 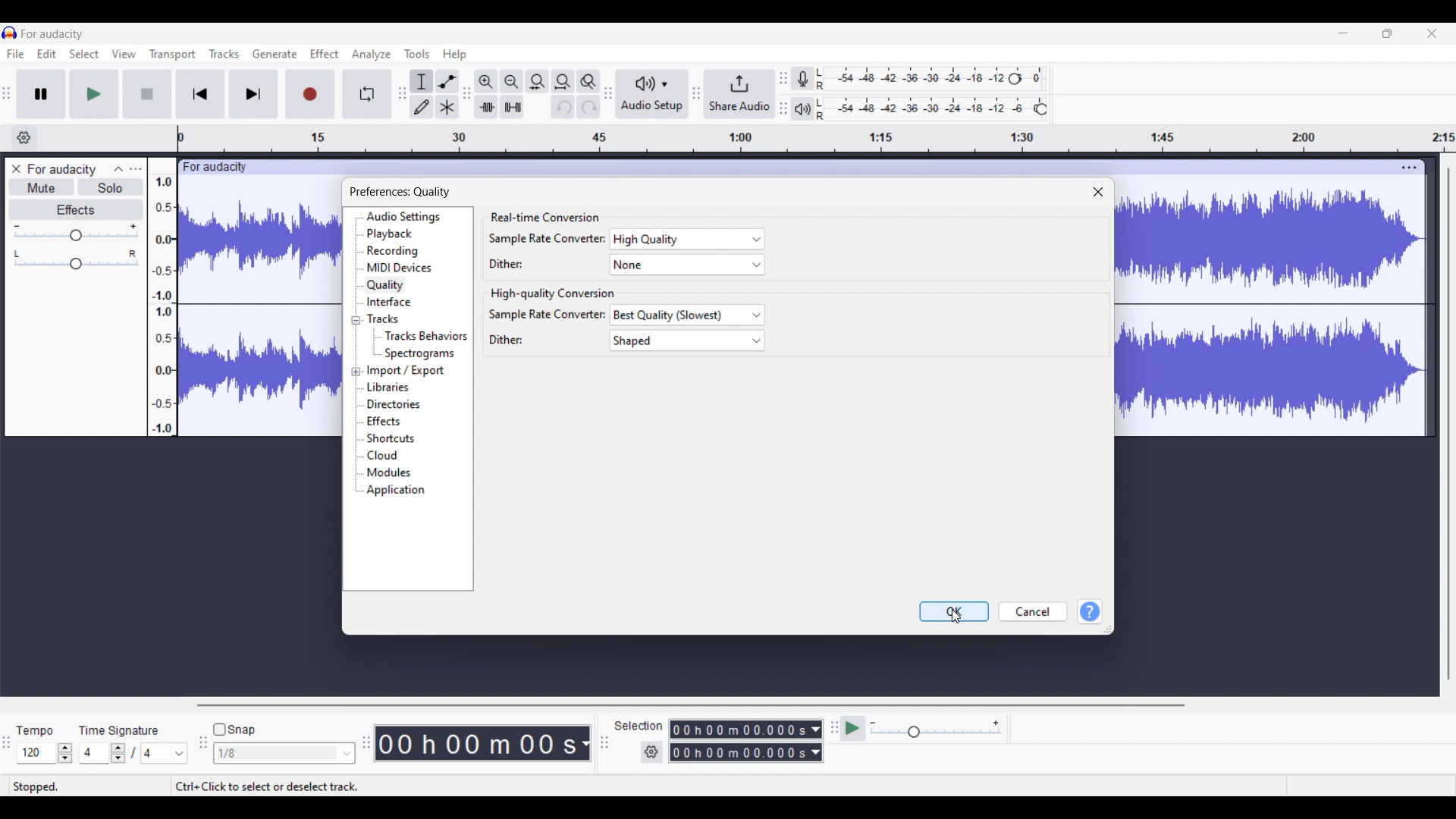 I want to click on Indicates tempo settings, so click(x=35, y=731).